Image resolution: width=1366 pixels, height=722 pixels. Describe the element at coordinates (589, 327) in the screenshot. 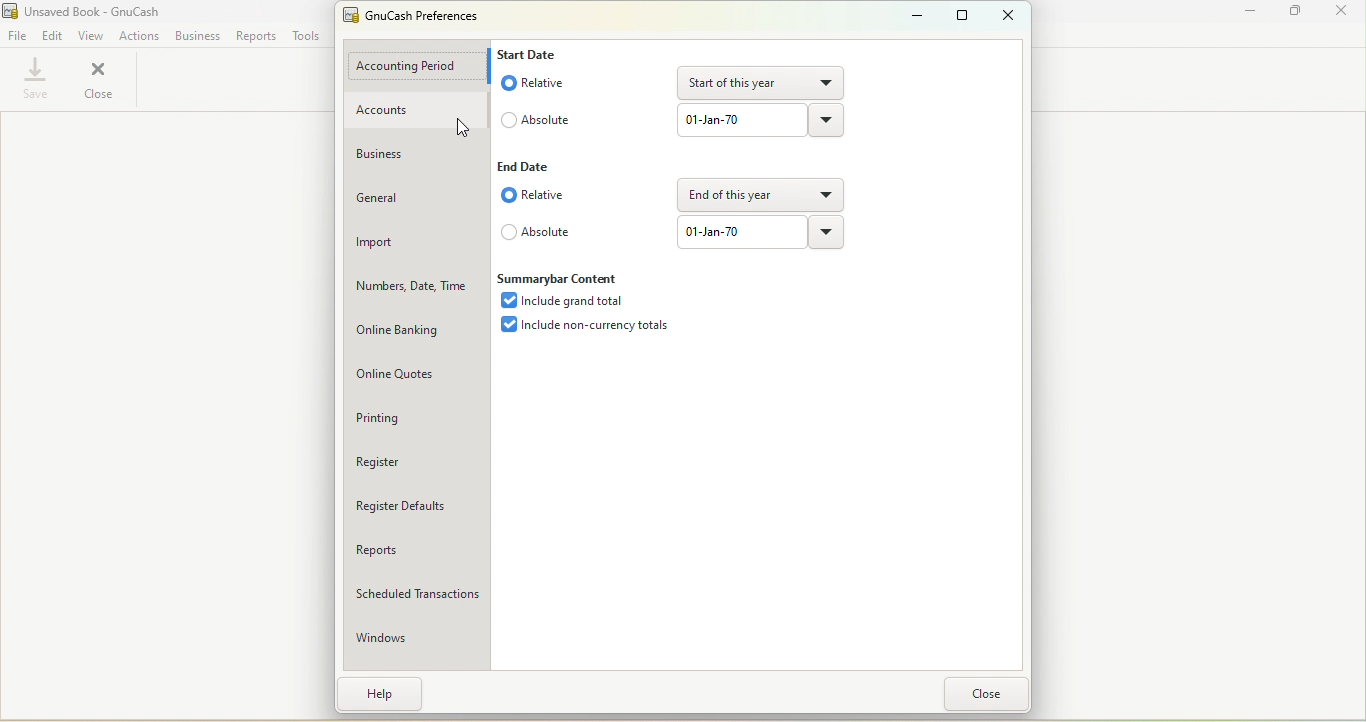

I see `Include non-currency totals` at that location.